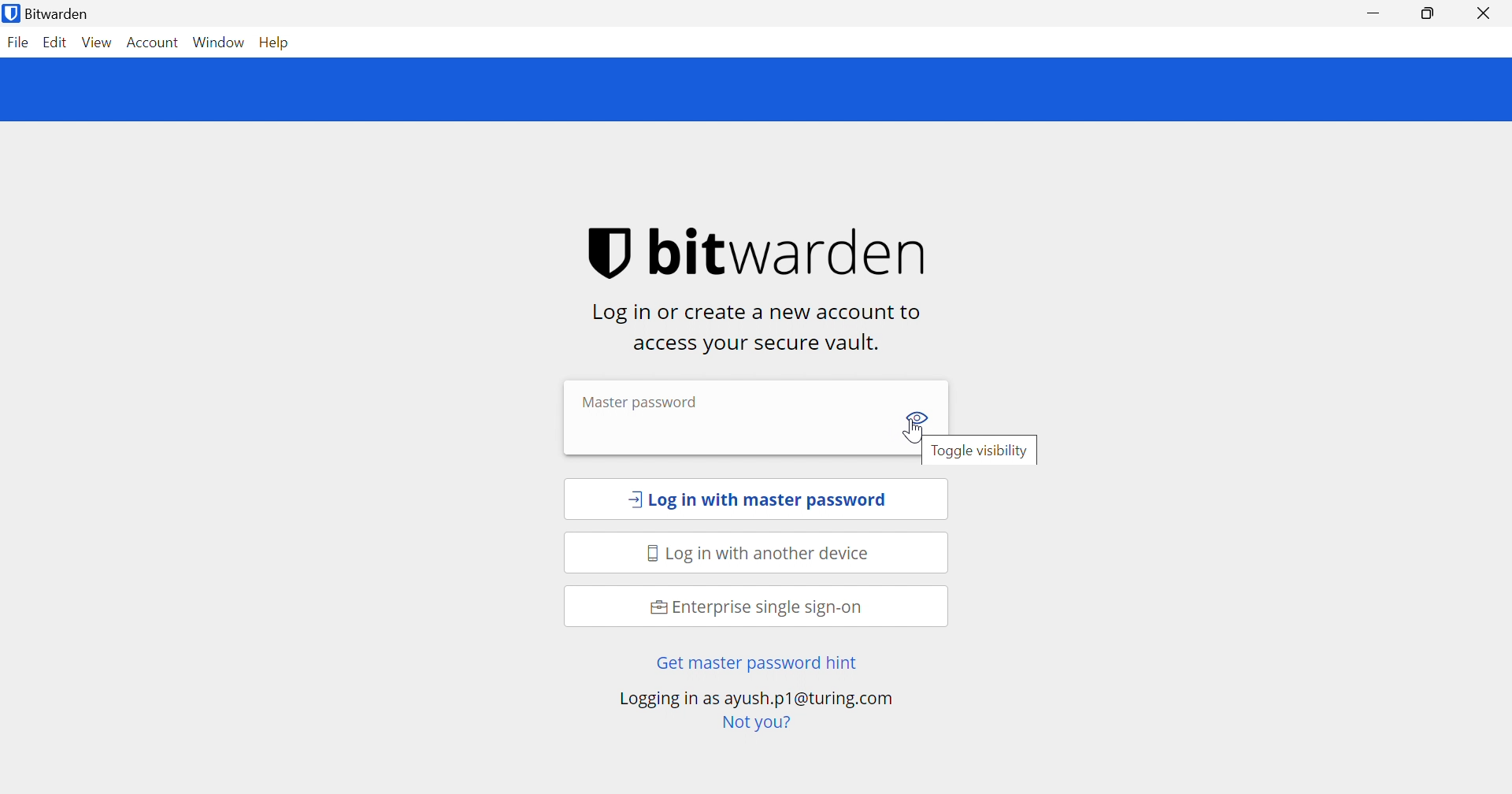 The image size is (1512, 794). What do you see at coordinates (1485, 14) in the screenshot?
I see `Close` at bounding box center [1485, 14].